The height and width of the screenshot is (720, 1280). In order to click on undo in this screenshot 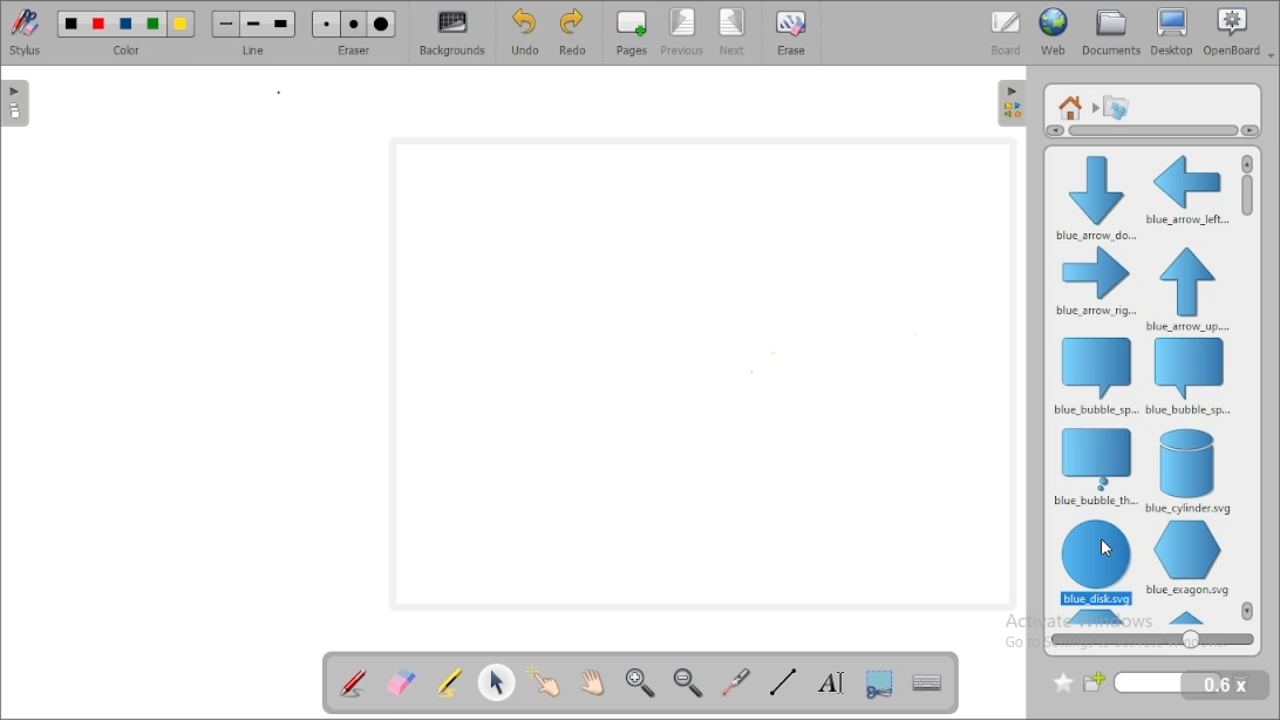, I will do `click(525, 32)`.